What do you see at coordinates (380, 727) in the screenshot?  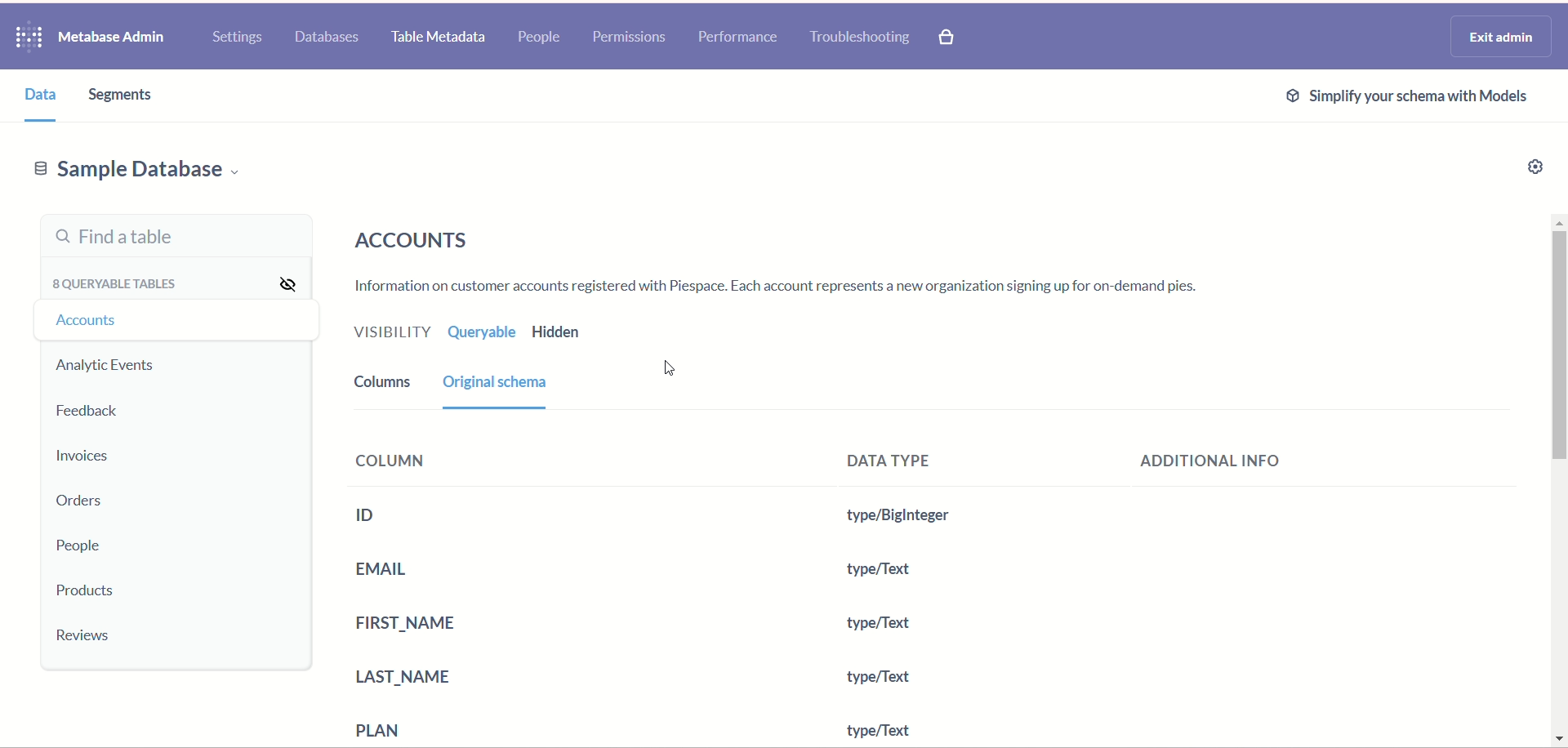 I see `plan` at bounding box center [380, 727].